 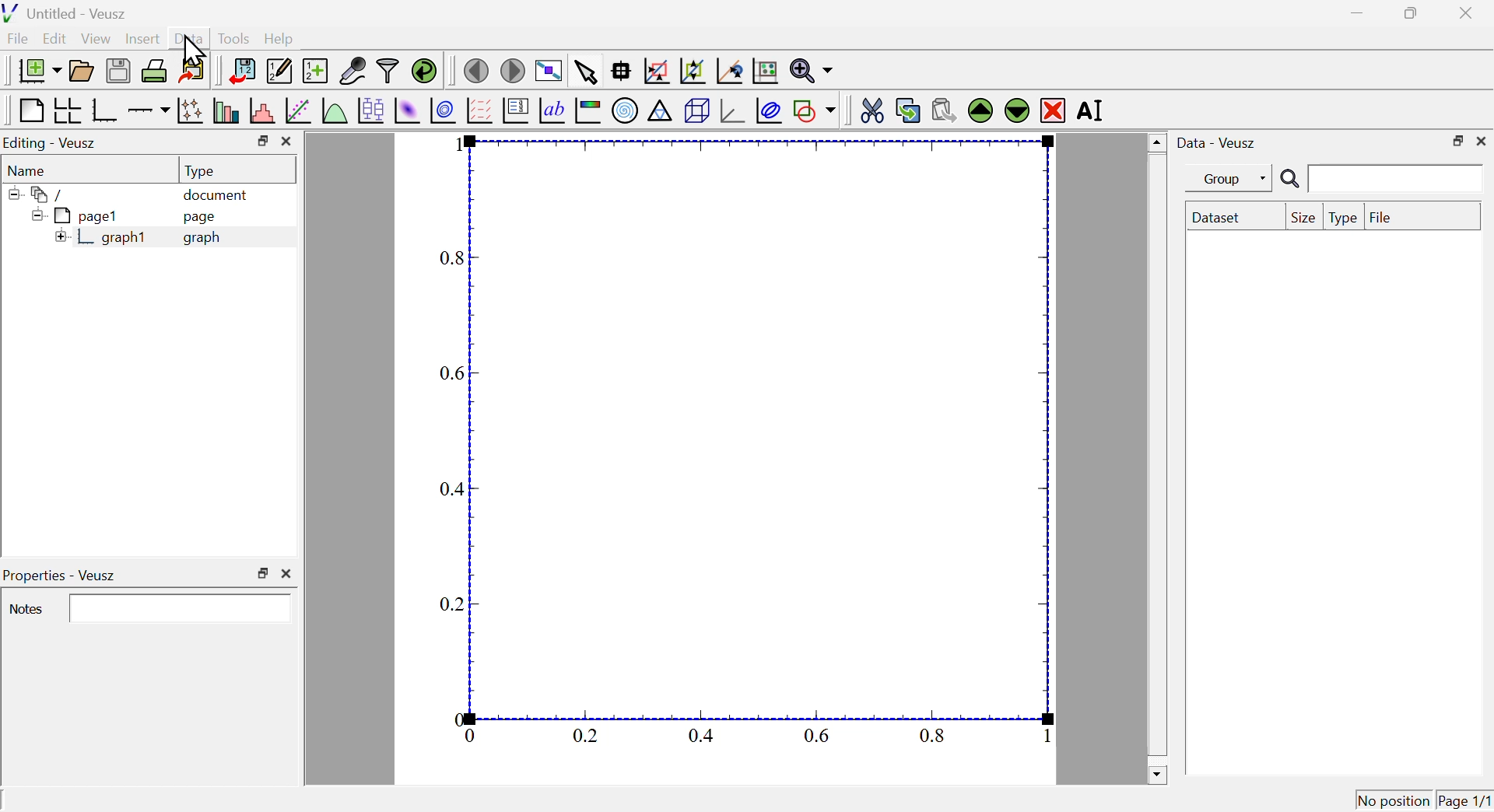 I want to click on page1, so click(x=77, y=215).